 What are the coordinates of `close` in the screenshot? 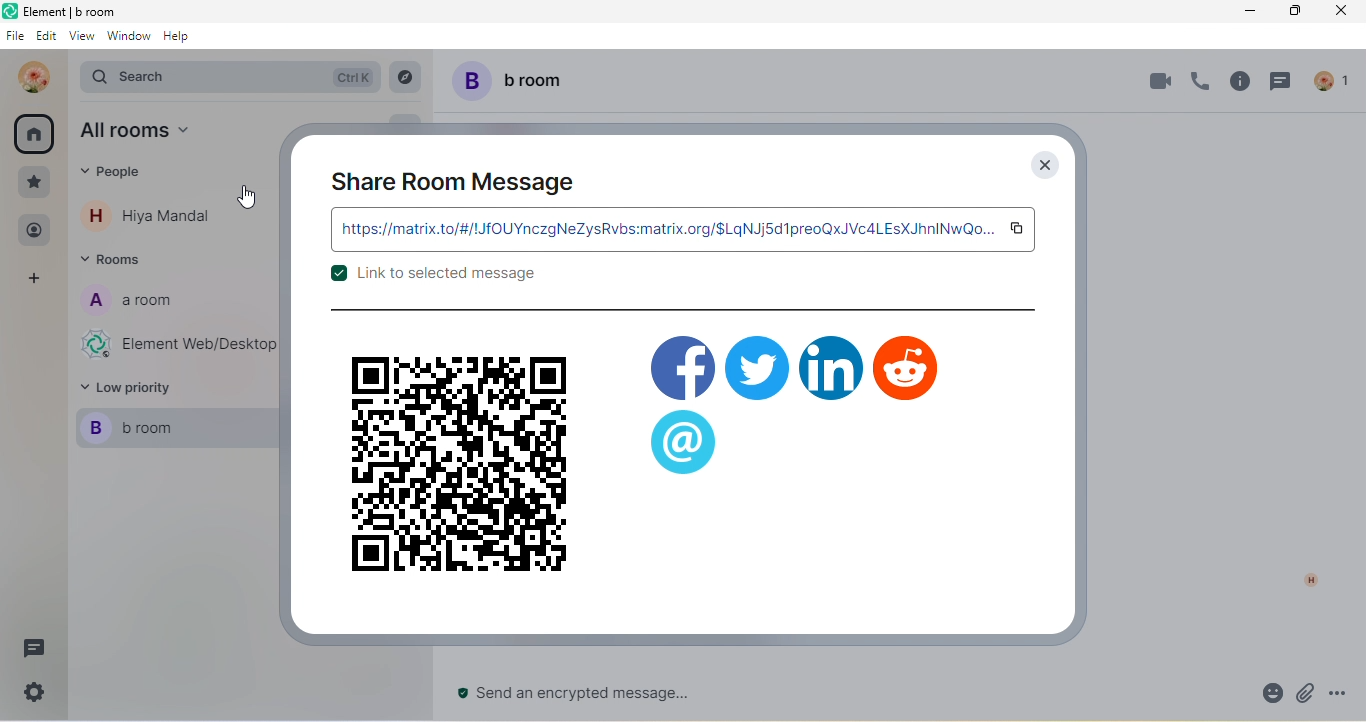 It's located at (1043, 165).